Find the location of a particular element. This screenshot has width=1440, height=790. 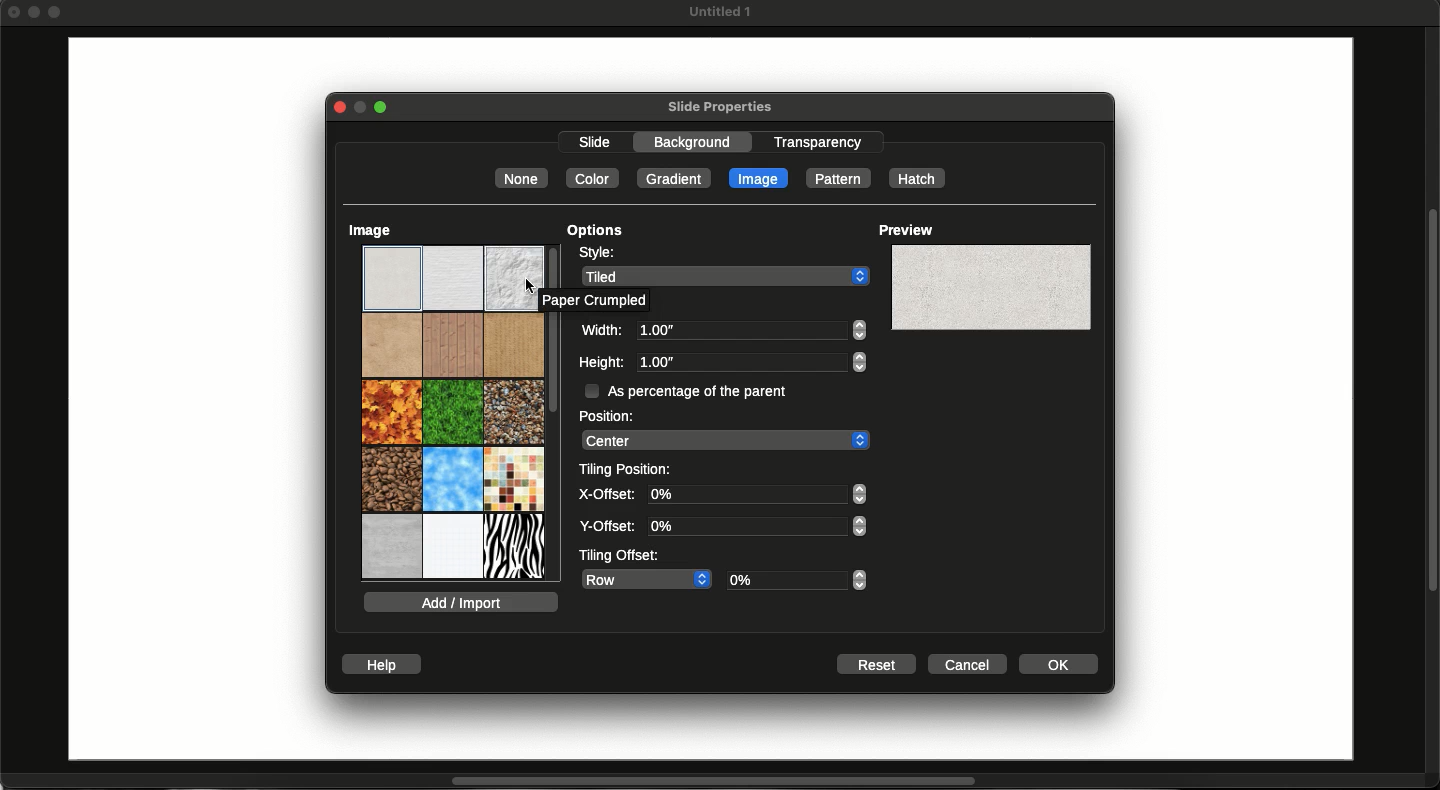

Gradient is located at coordinates (675, 178).